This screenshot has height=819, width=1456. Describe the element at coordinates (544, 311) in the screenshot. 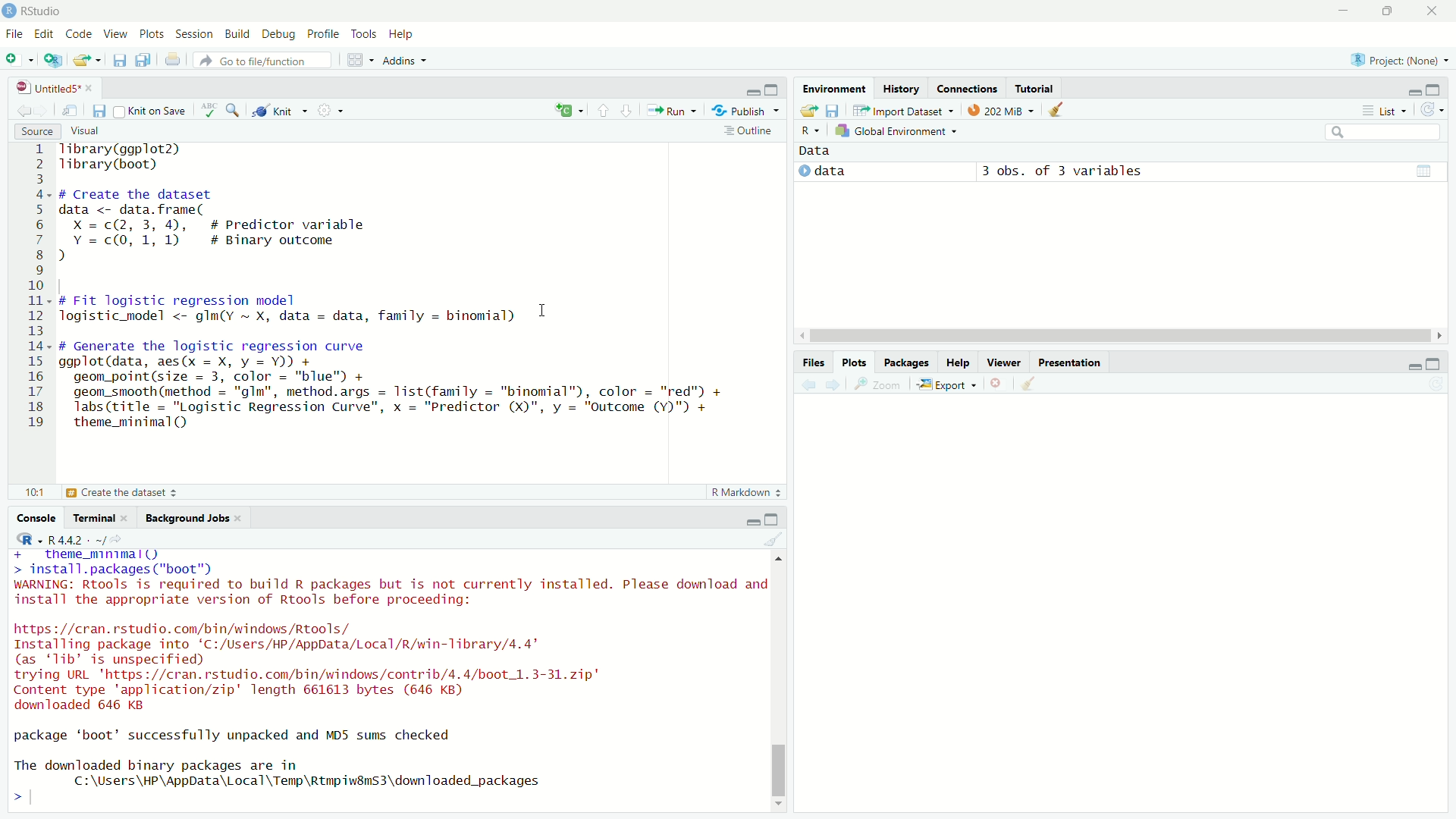

I see `cursor` at that location.